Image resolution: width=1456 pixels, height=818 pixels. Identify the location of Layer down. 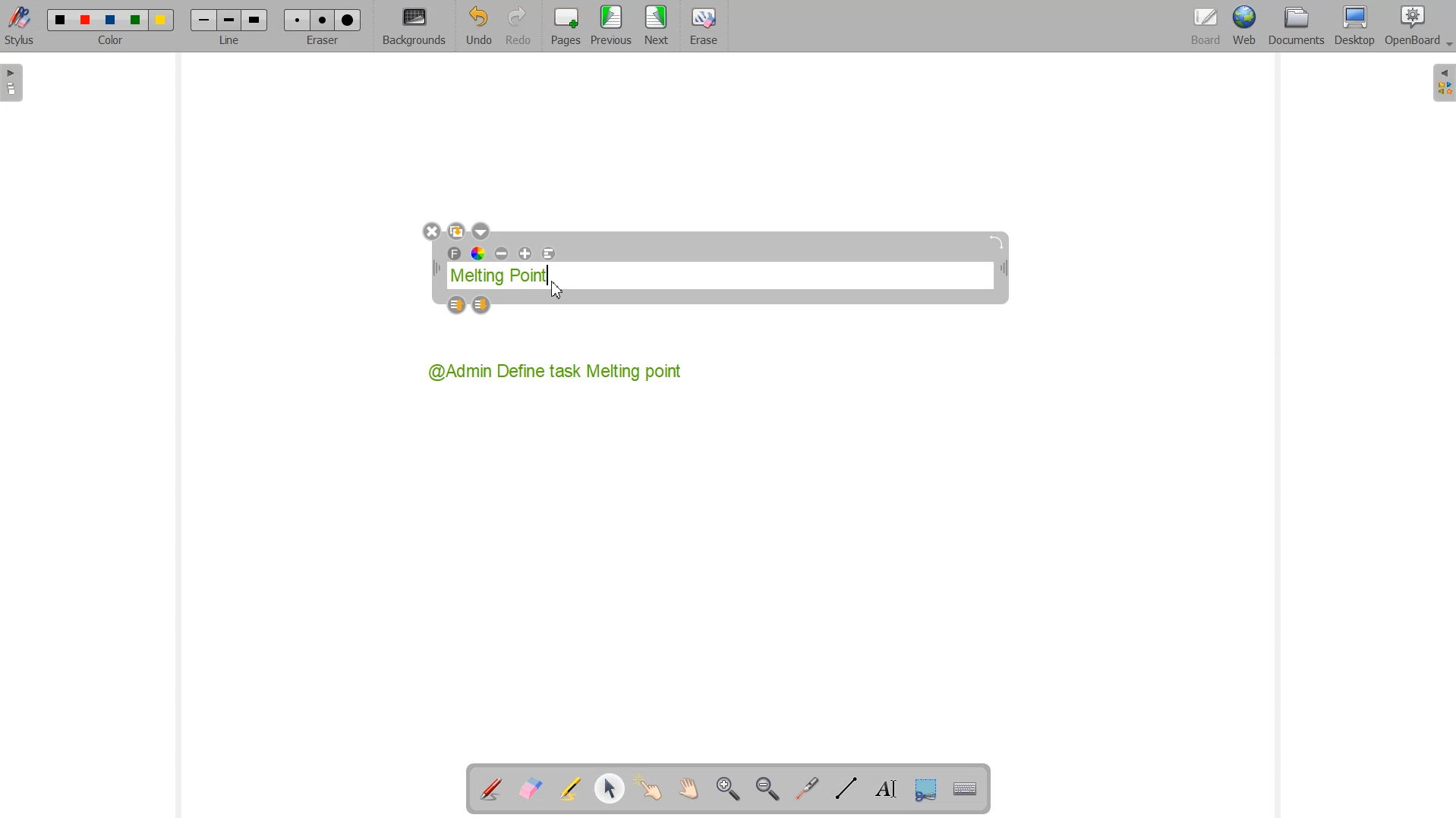
(482, 306).